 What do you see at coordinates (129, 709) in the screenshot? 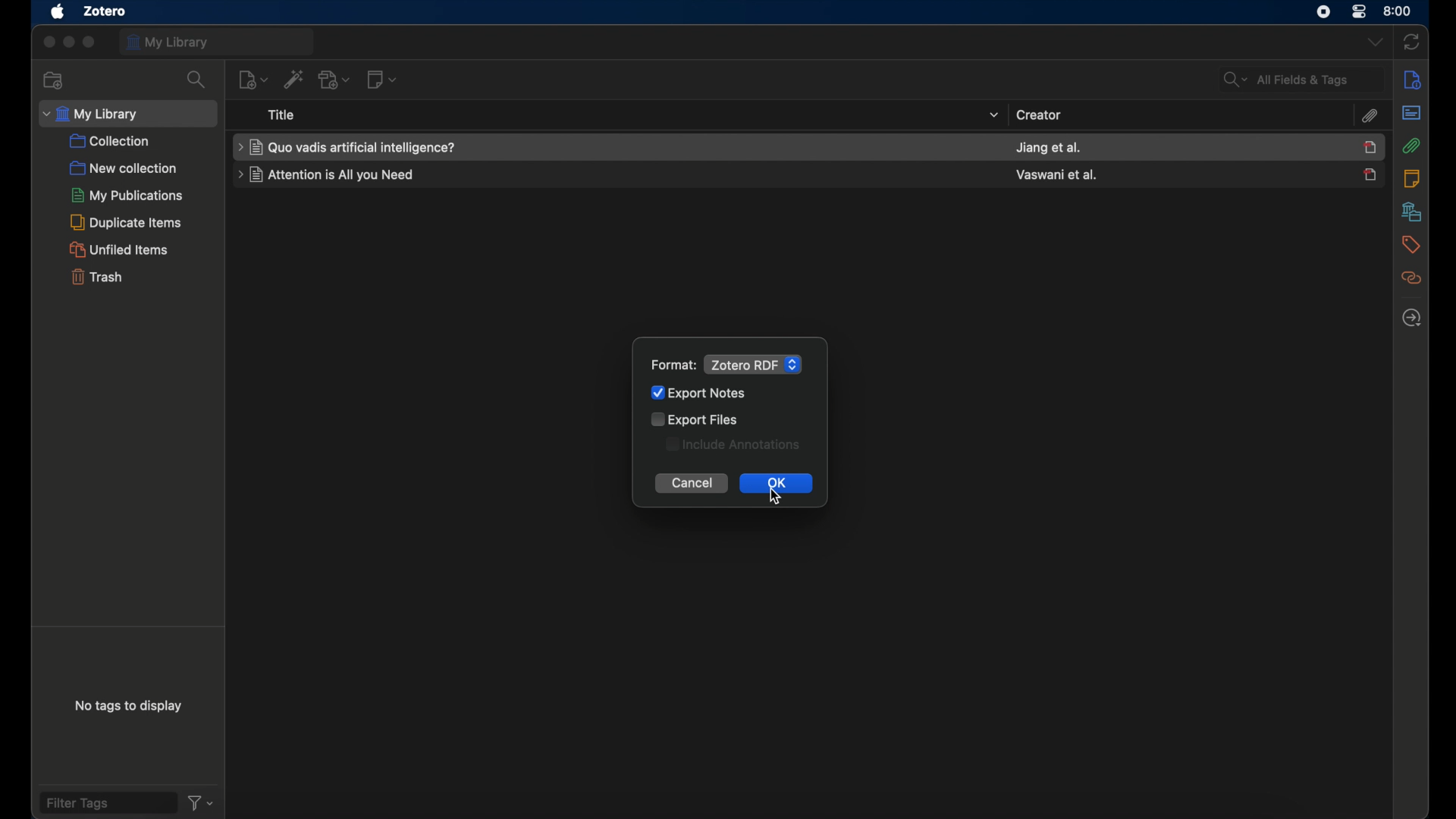
I see `no tags to display` at bounding box center [129, 709].